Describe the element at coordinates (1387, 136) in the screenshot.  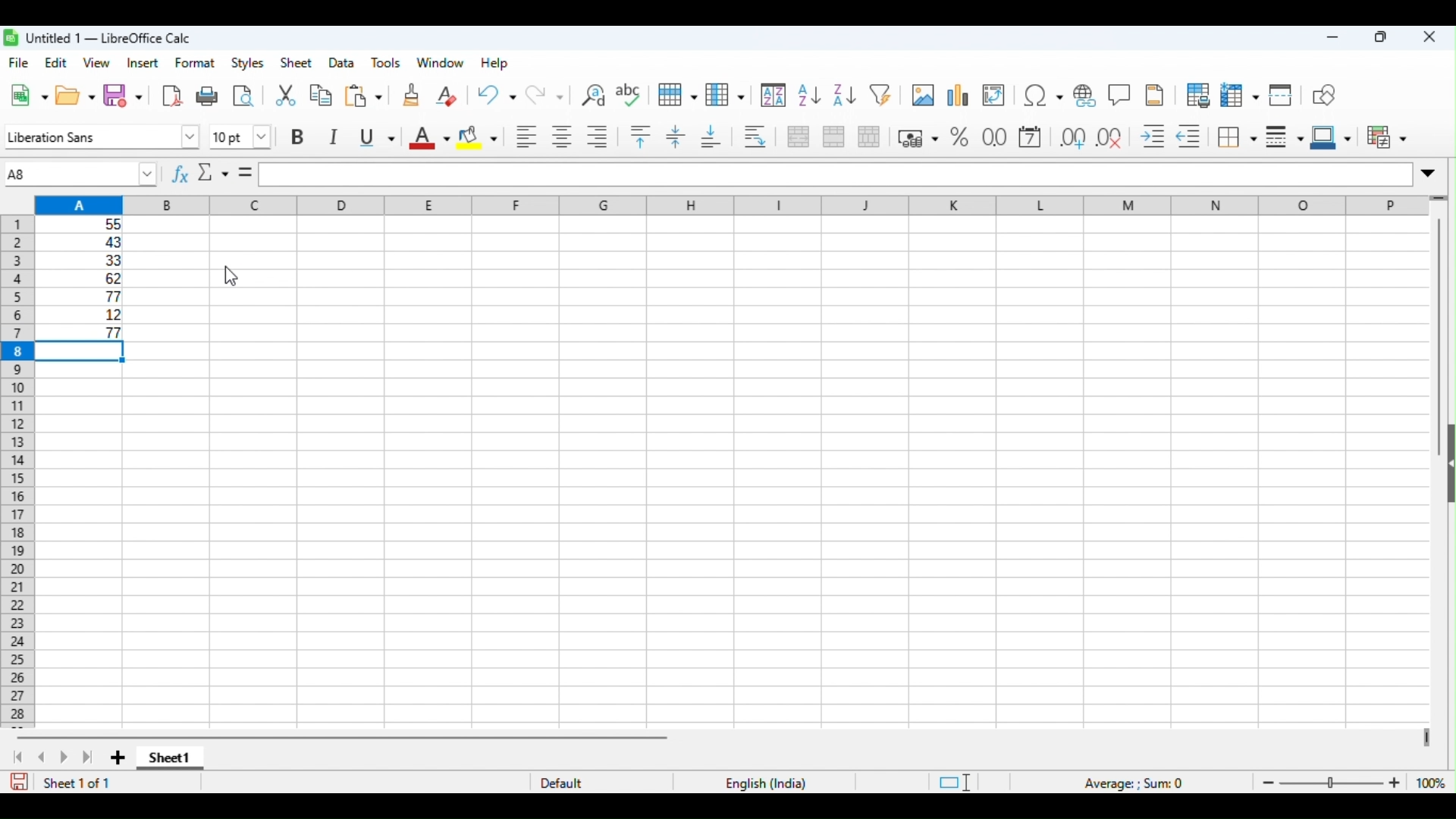
I see `conditional` at that location.